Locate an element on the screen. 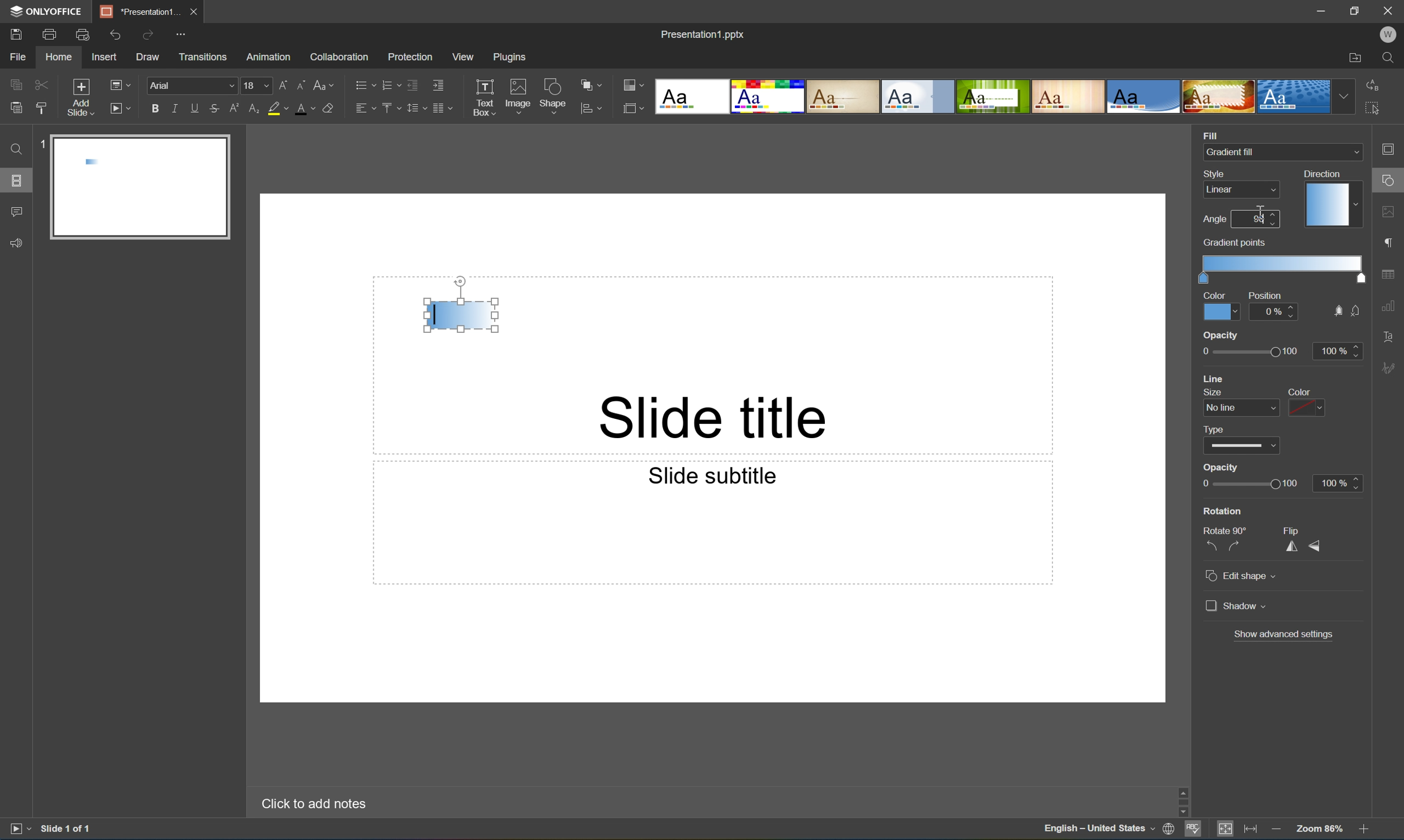  100% is located at coordinates (1338, 482).